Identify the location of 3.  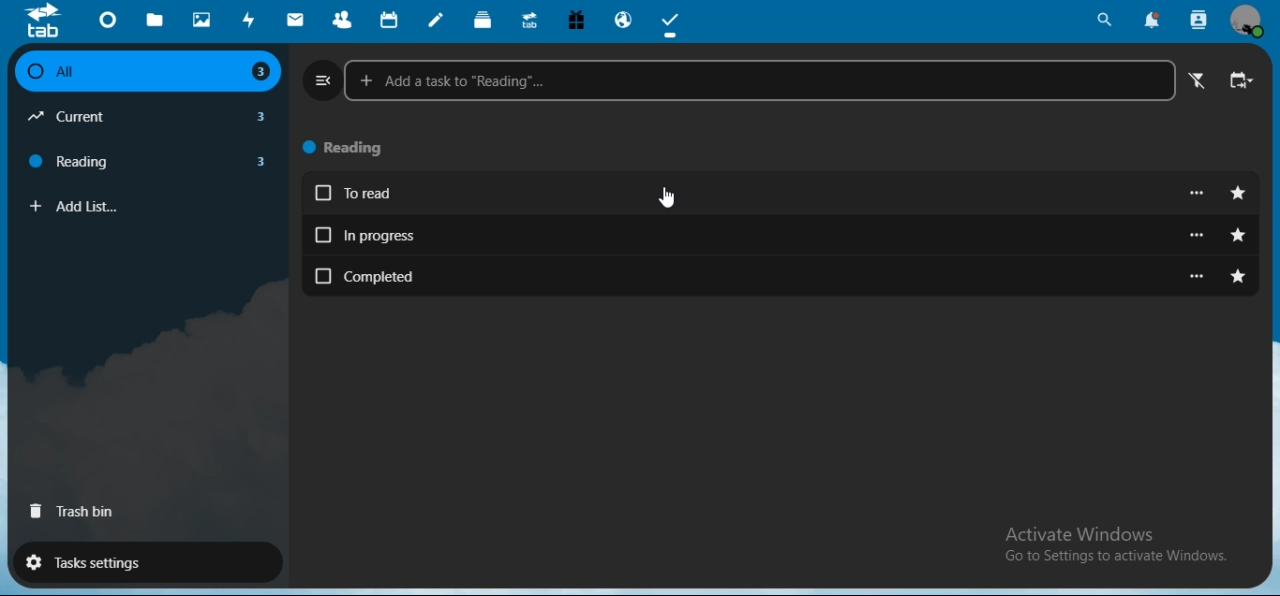
(261, 73).